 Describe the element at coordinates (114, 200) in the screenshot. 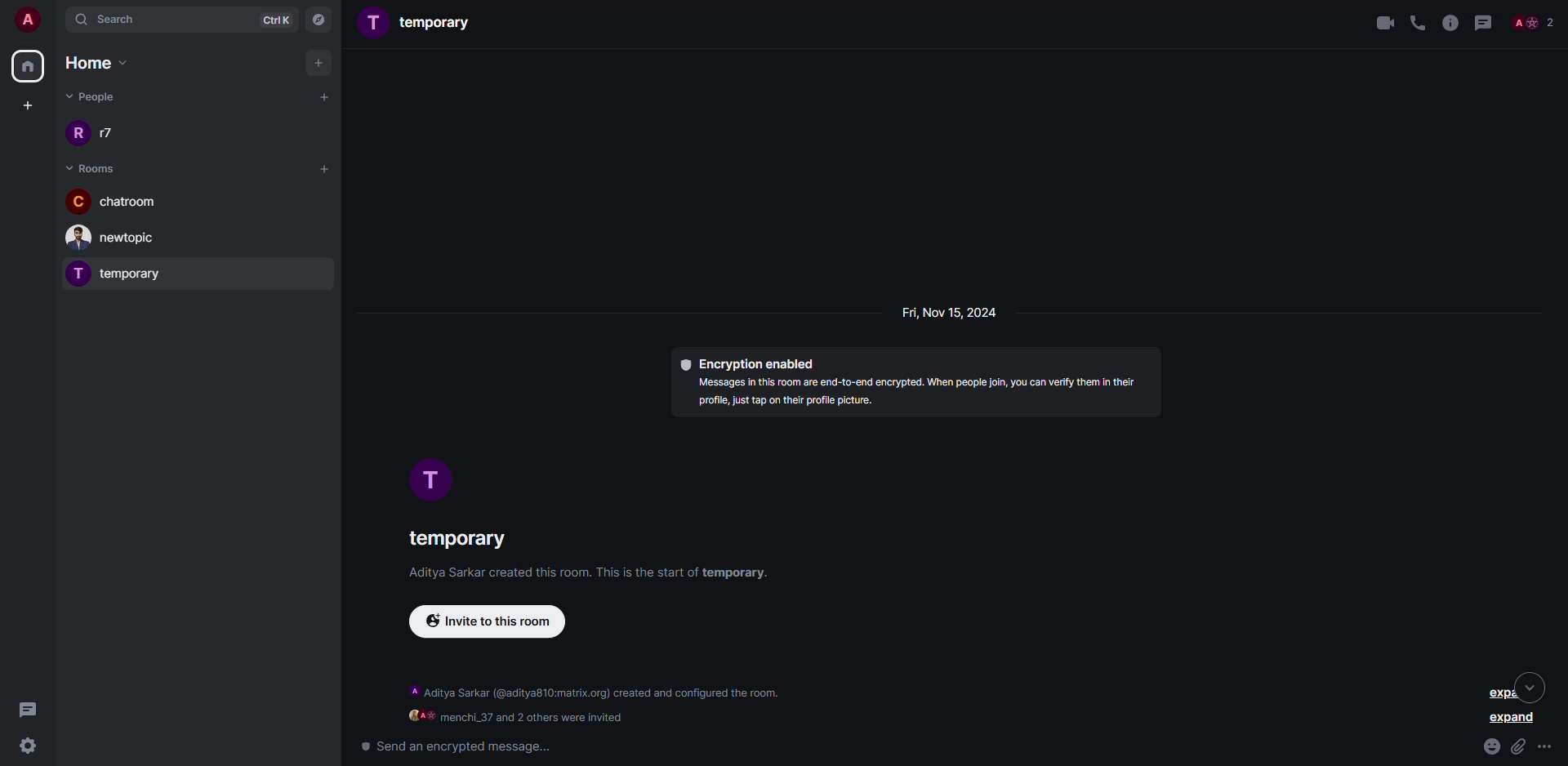

I see `chatroom` at that location.